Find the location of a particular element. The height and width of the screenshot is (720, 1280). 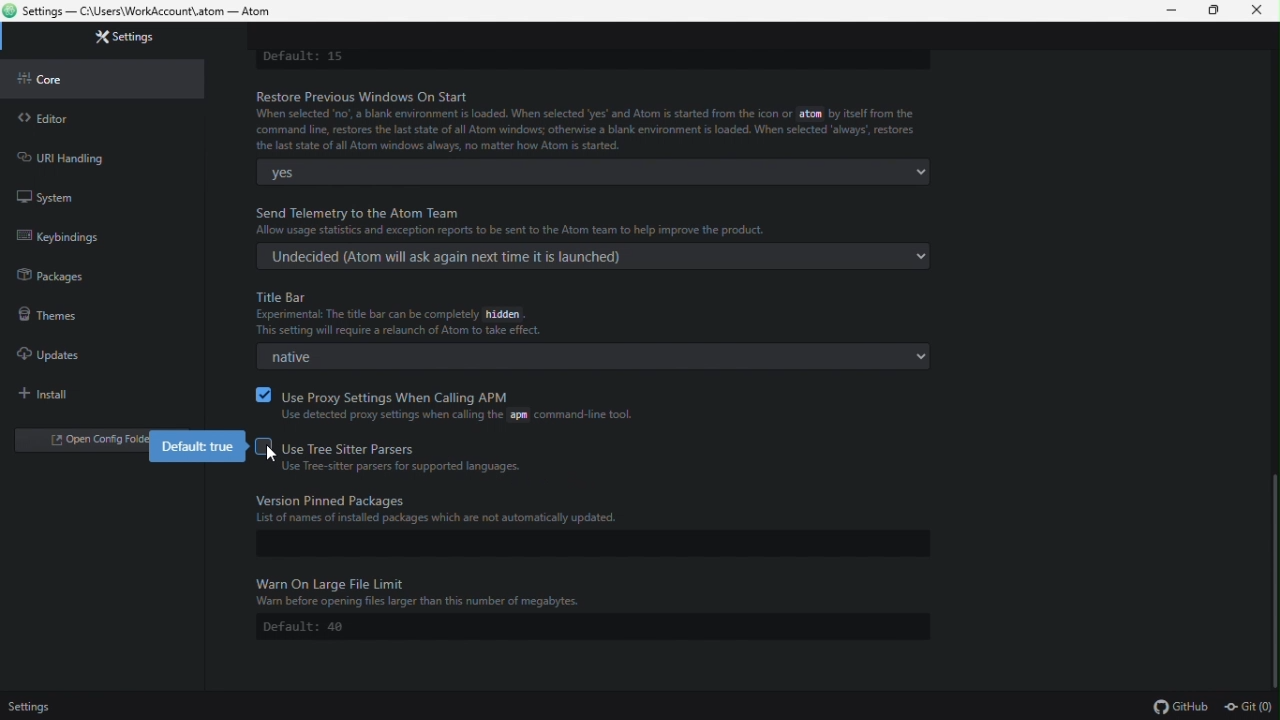

keybinding is located at coordinates (78, 236).